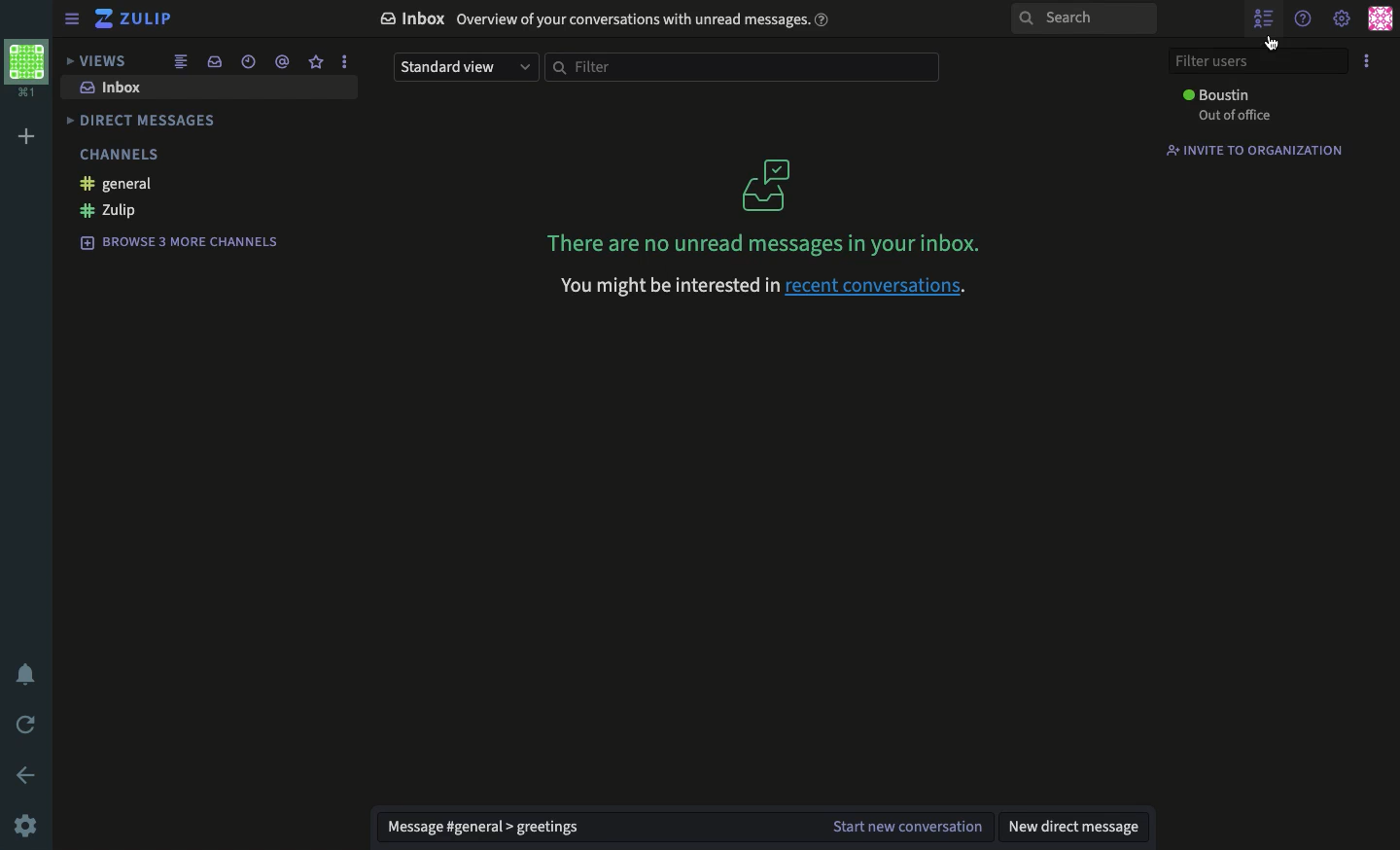  What do you see at coordinates (28, 726) in the screenshot?
I see `refresh` at bounding box center [28, 726].